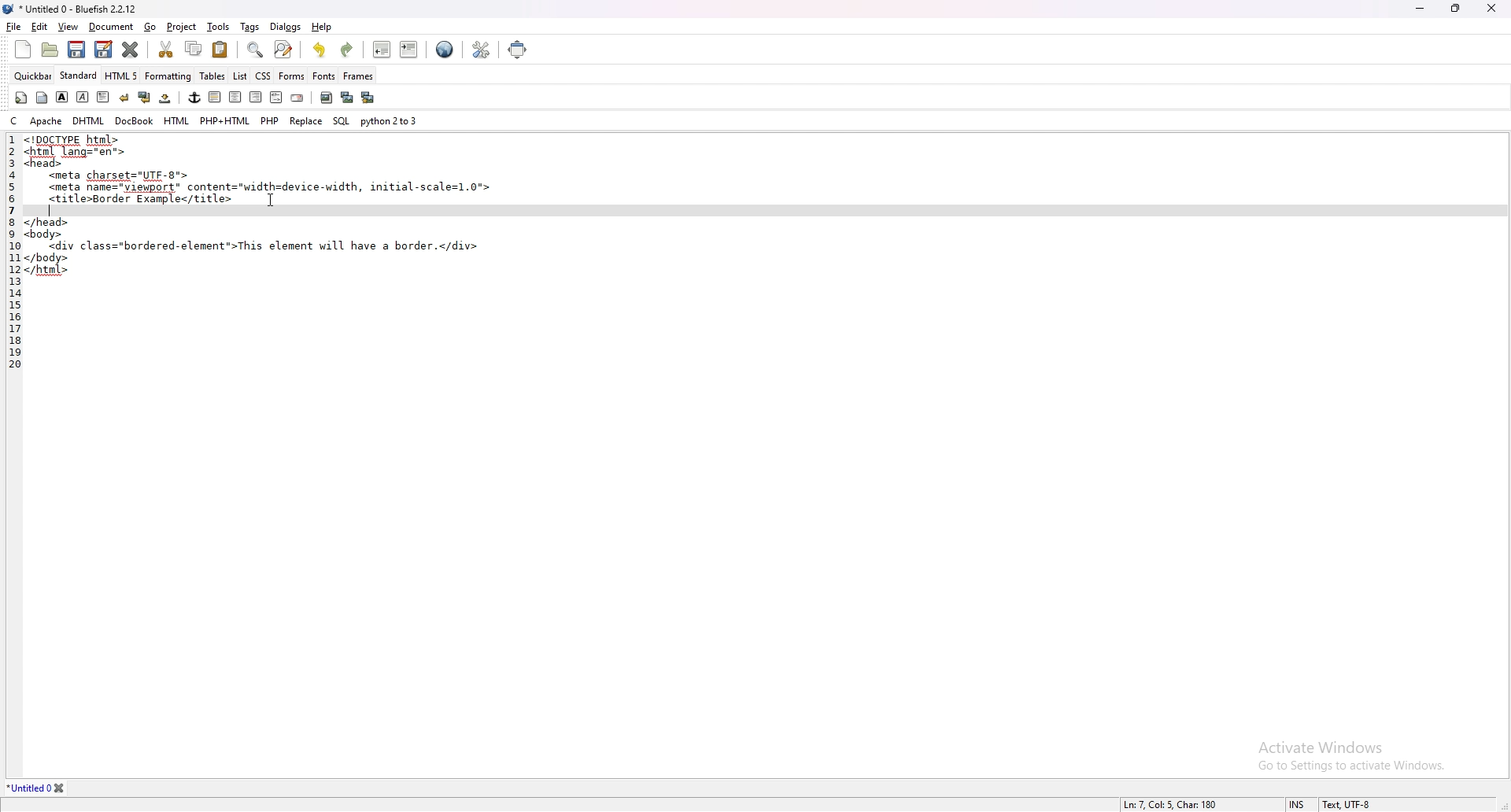 The width and height of the screenshot is (1511, 812). Describe the element at coordinates (1152, 803) in the screenshot. I see `Ln: 7, Col: 5, Char: 180` at that location.